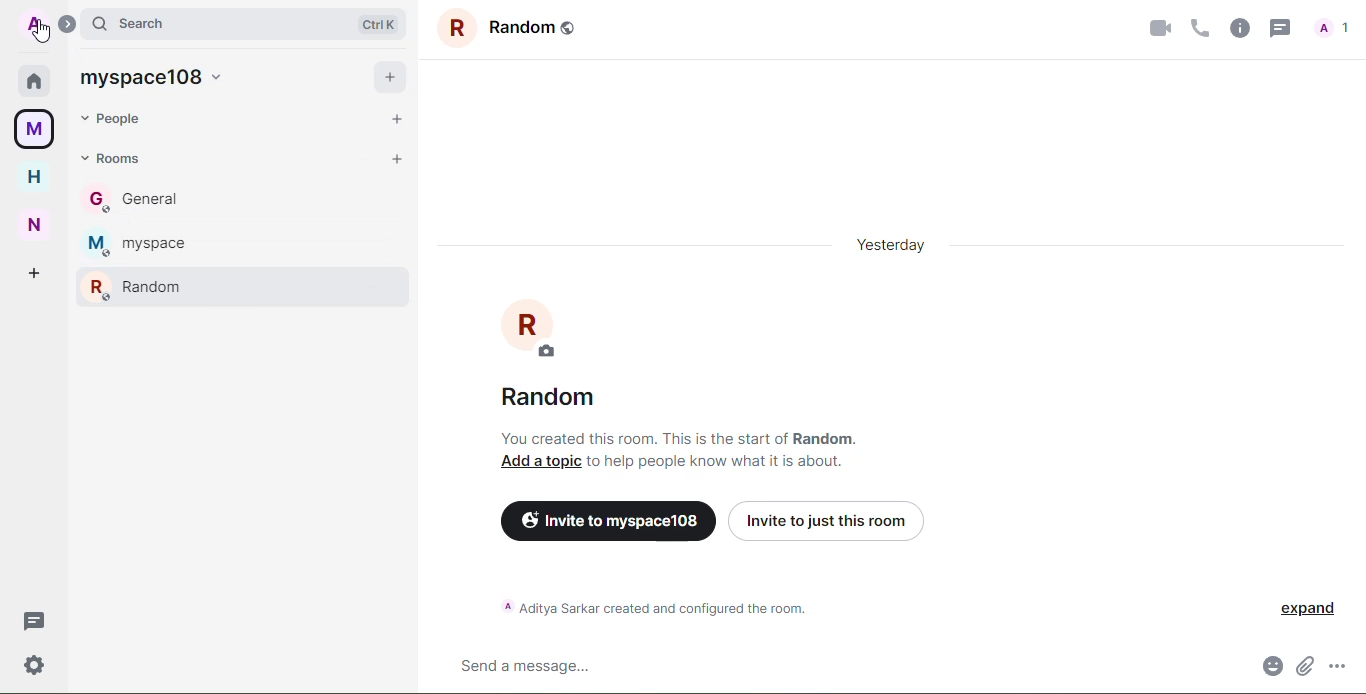 The width and height of the screenshot is (1366, 694). What do you see at coordinates (34, 130) in the screenshot?
I see `myspace` at bounding box center [34, 130].